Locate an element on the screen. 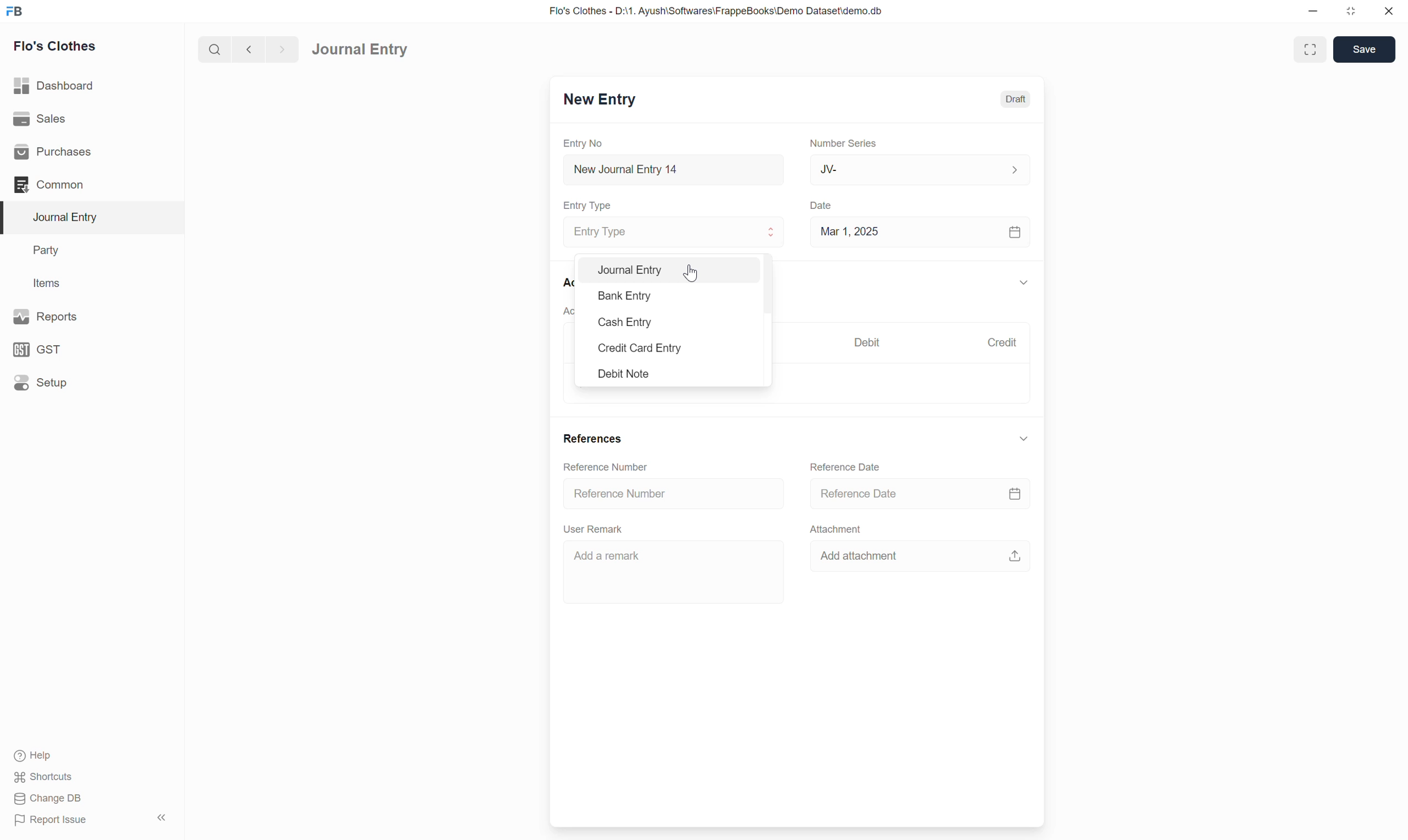 The width and height of the screenshot is (1408, 840). Debit Note is located at coordinates (643, 374).